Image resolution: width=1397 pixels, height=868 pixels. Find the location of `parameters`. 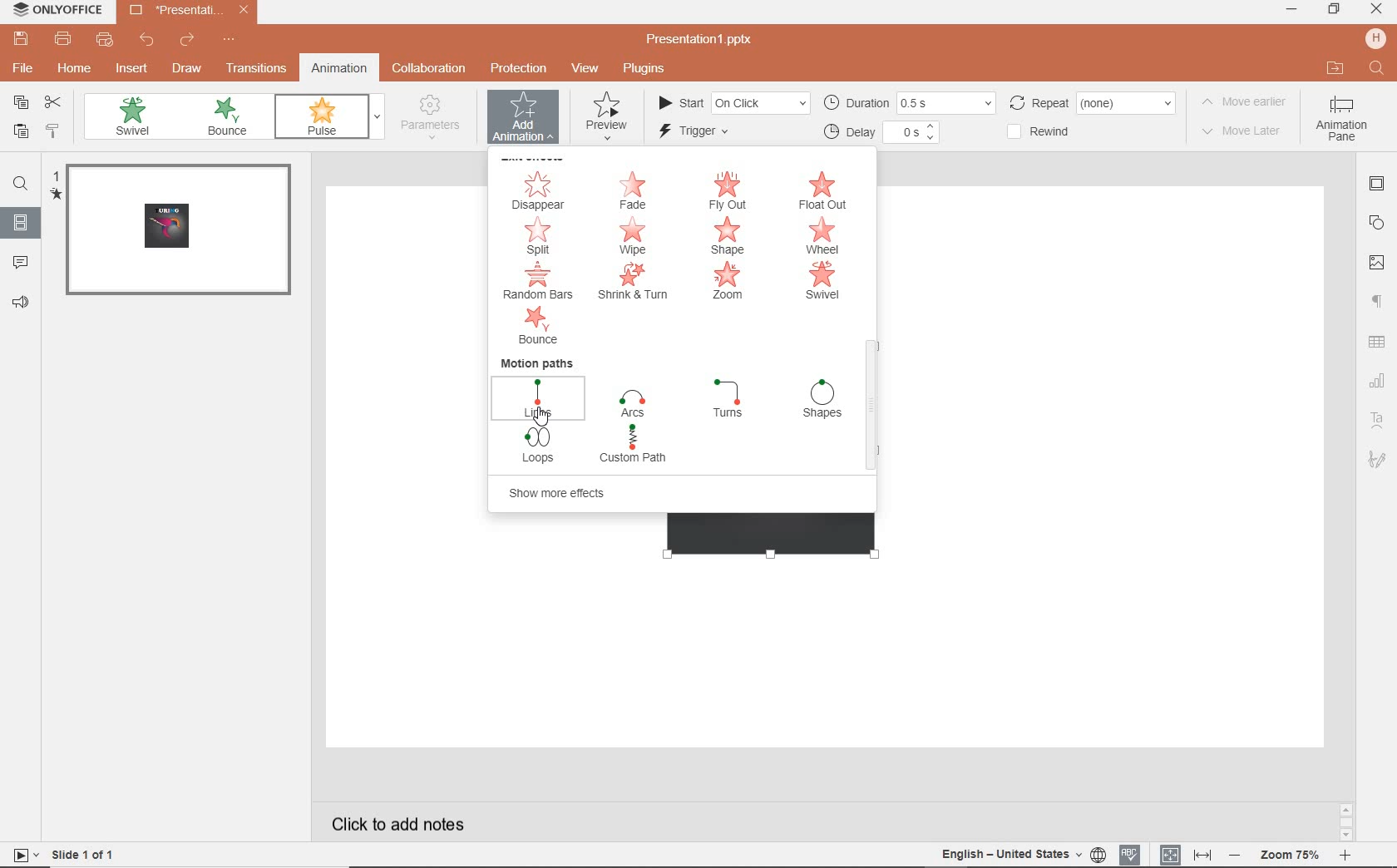

parameters is located at coordinates (437, 119).